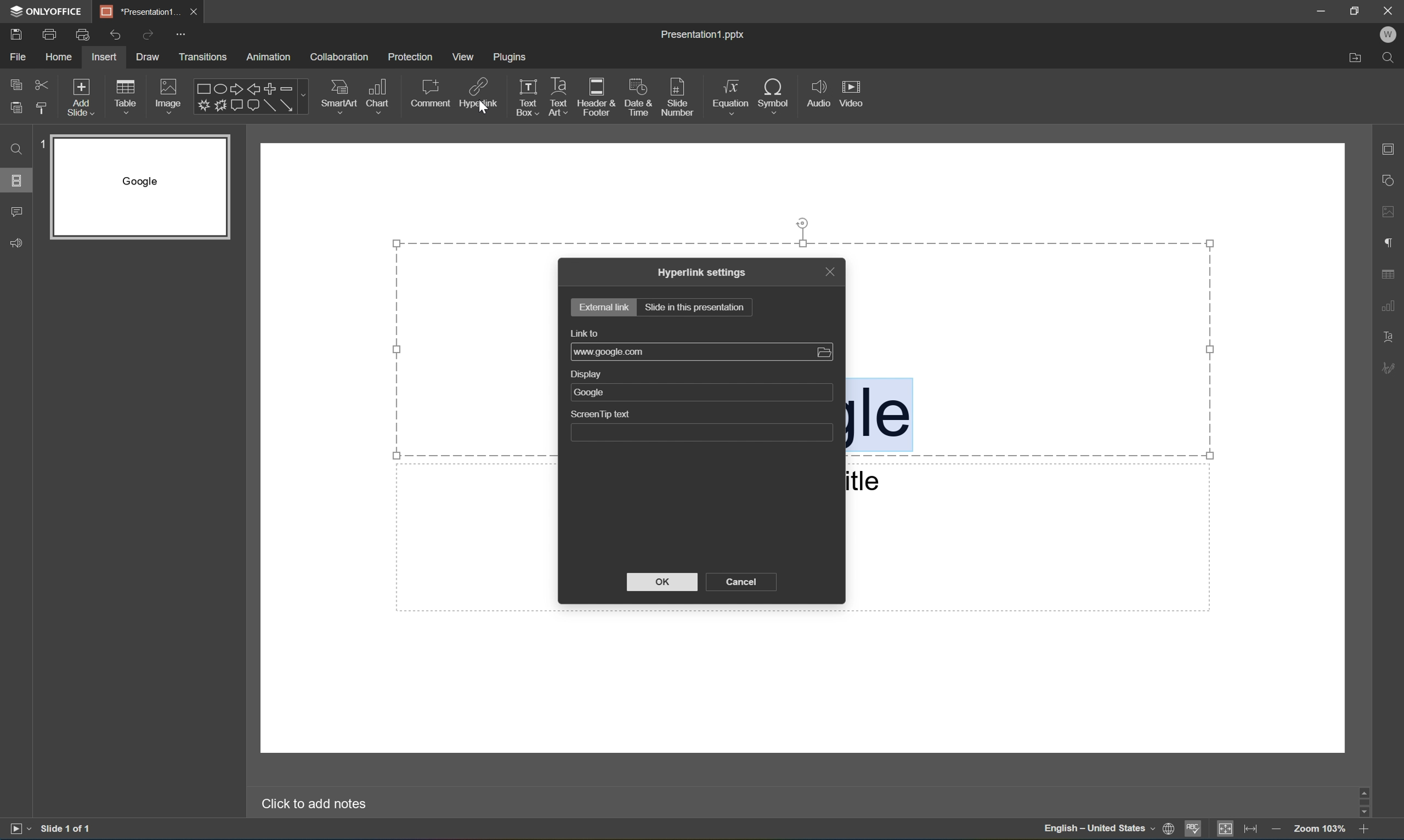  What do you see at coordinates (1322, 8) in the screenshot?
I see `Minimize` at bounding box center [1322, 8].